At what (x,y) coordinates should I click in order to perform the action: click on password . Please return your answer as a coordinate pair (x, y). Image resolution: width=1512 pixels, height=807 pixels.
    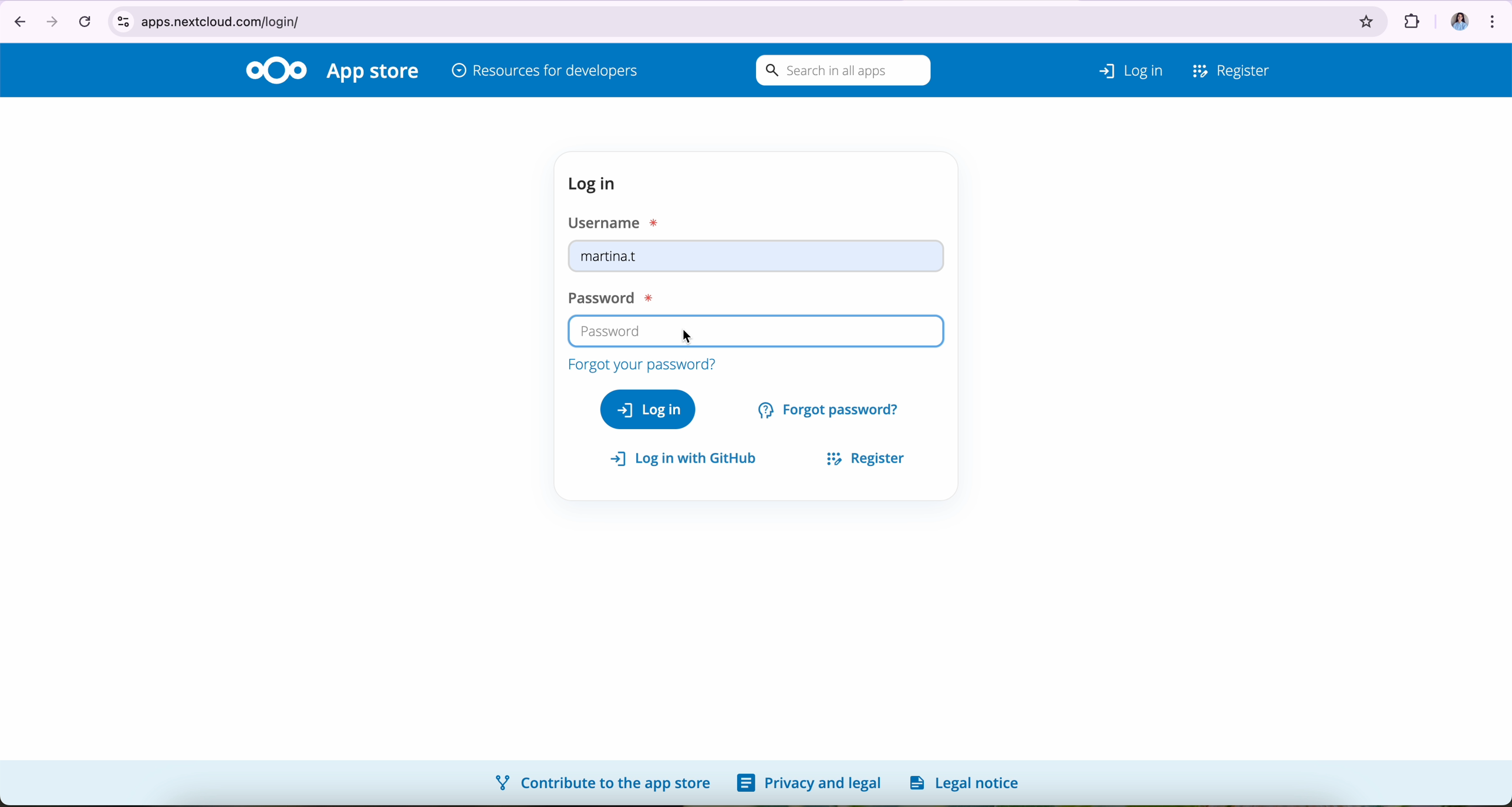
    Looking at the image, I should click on (606, 295).